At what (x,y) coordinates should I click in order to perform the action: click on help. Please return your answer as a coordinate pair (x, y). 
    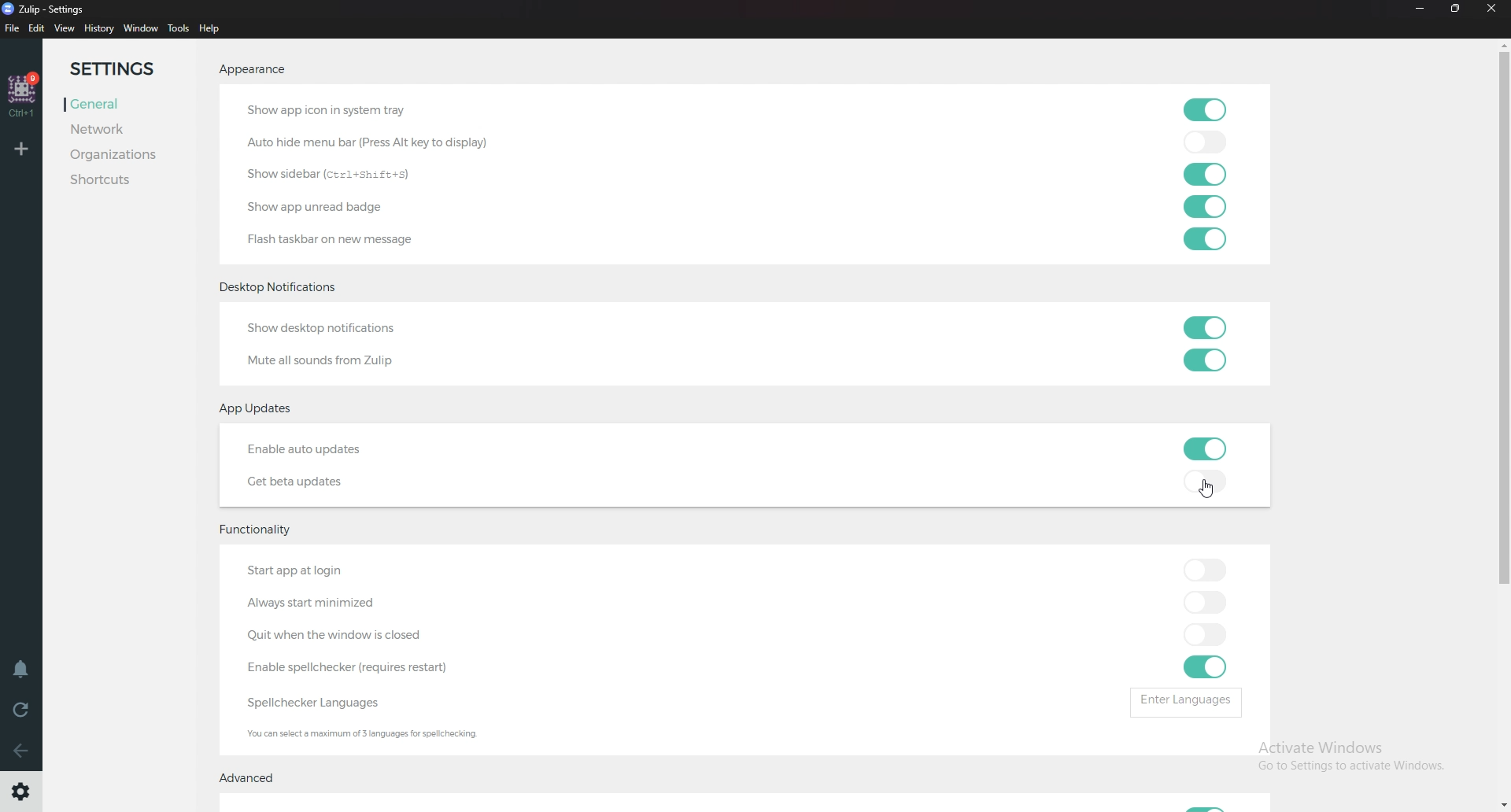
    Looking at the image, I should click on (211, 28).